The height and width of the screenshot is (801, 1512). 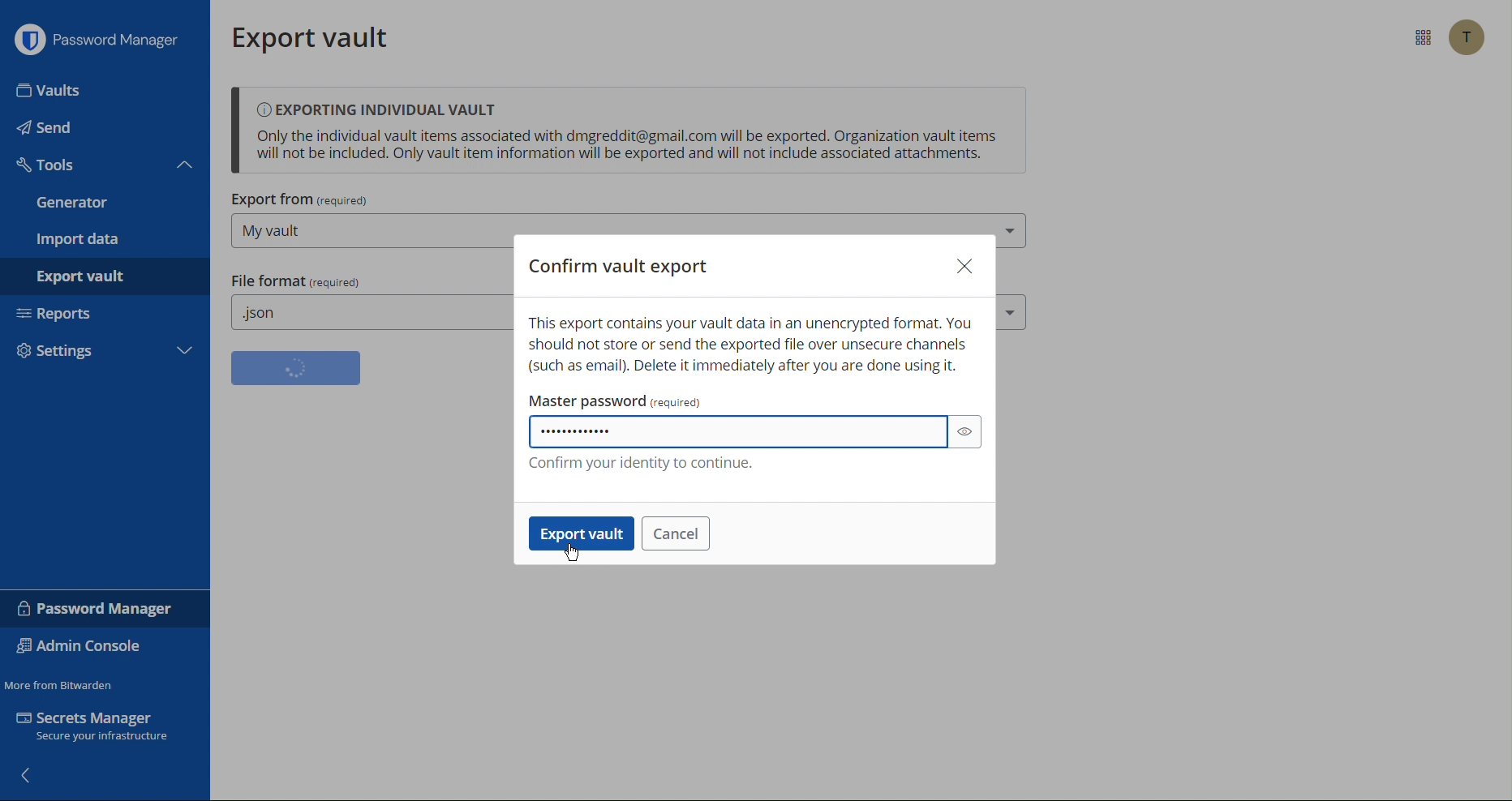 What do you see at coordinates (965, 432) in the screenshot?
I see `show password` at bounding box center [965, 432].